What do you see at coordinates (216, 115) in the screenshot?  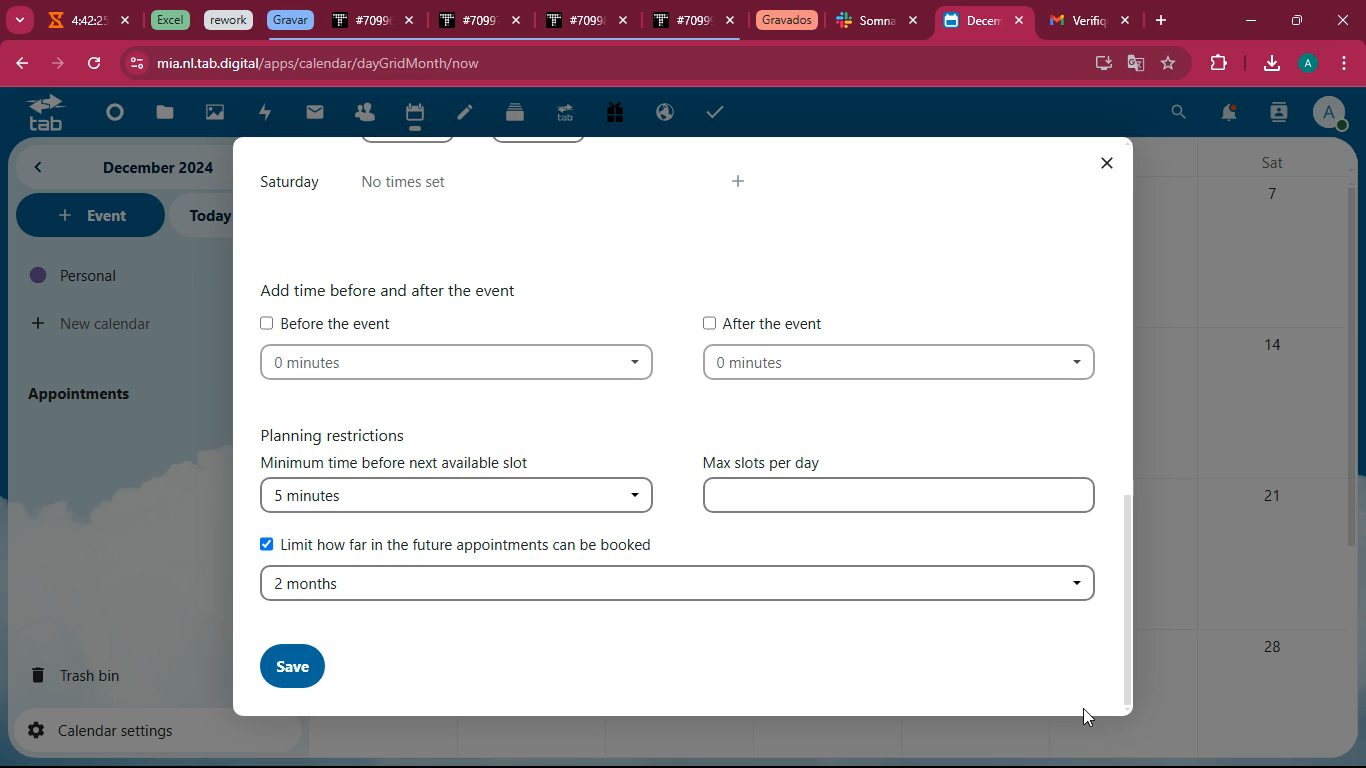 I see `image` at bounding box center [216, 115].